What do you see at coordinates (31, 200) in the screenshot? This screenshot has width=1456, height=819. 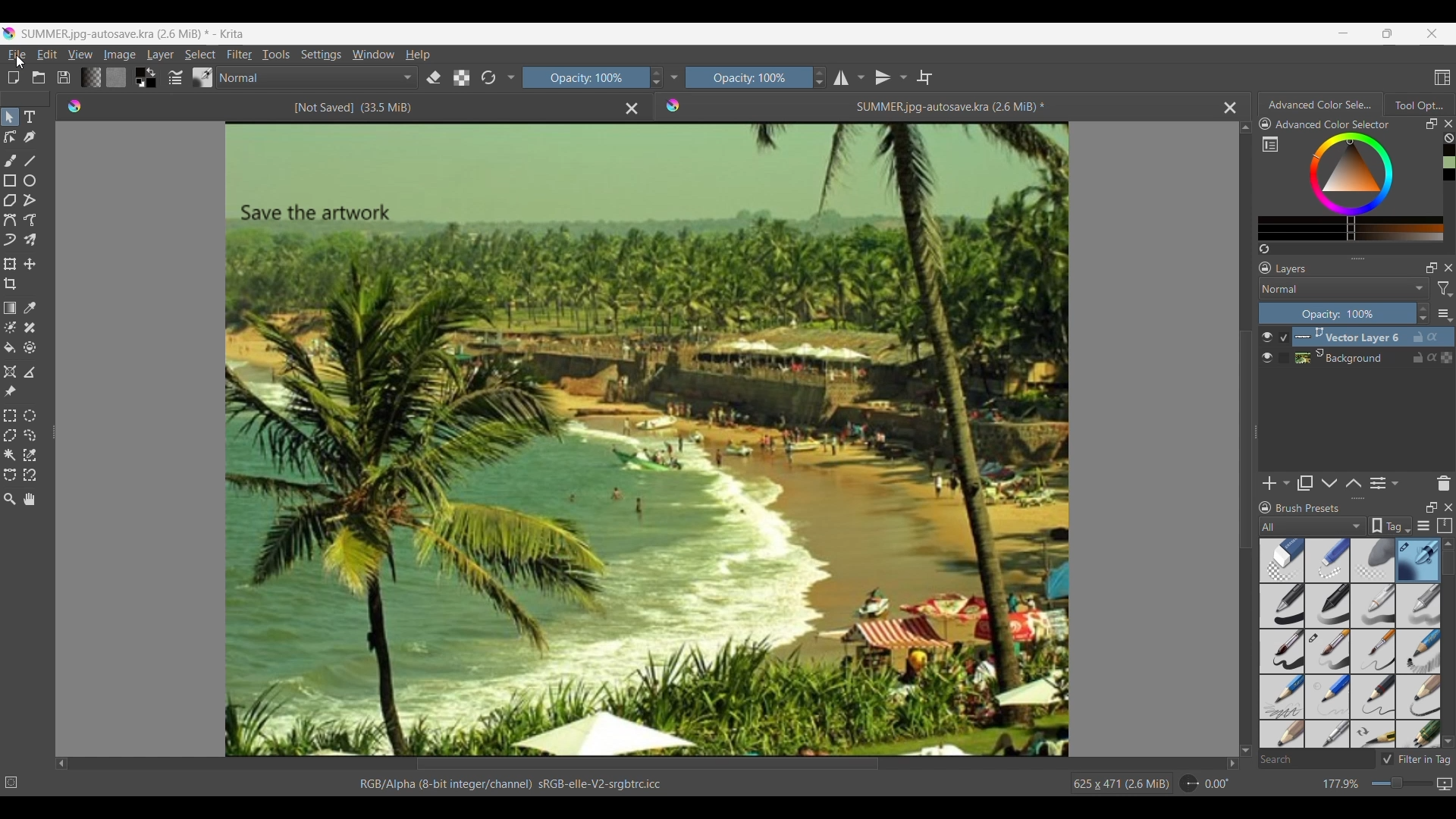 I see `Polyline tool` at bounding box center [31, 200].